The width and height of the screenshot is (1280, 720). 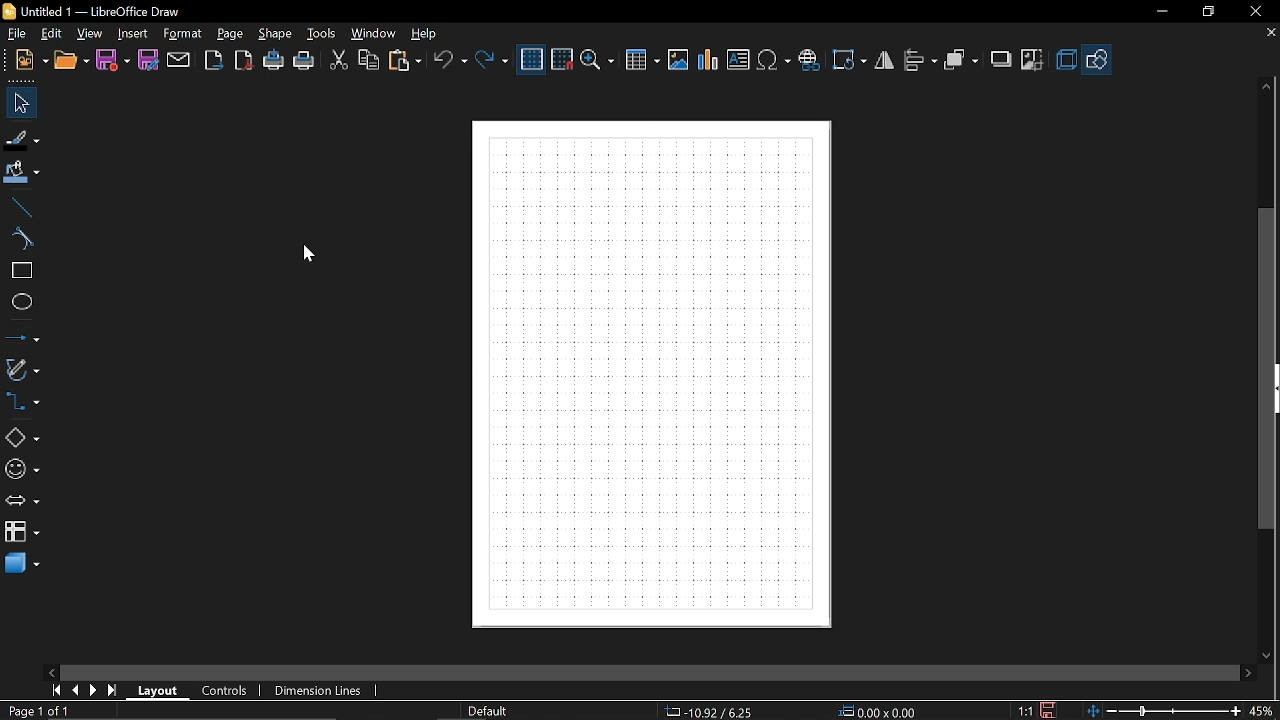 What do you see at coordinates (132, 35) in the screenshot?
I see `insert ` at bounding box center [132, 35].